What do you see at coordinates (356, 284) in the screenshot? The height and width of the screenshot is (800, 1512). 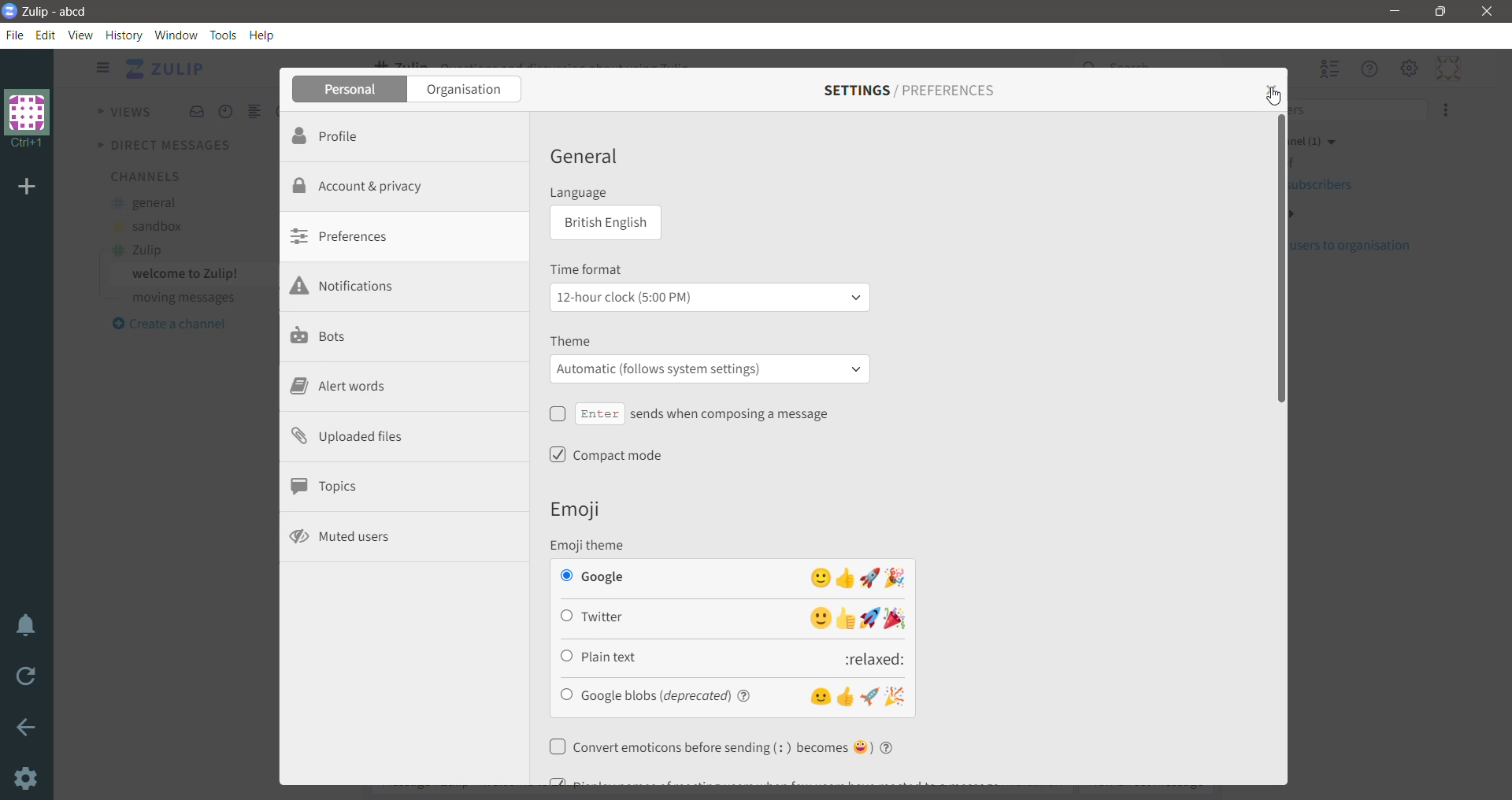 I see `Notifications` at bounding box center [356, 284].